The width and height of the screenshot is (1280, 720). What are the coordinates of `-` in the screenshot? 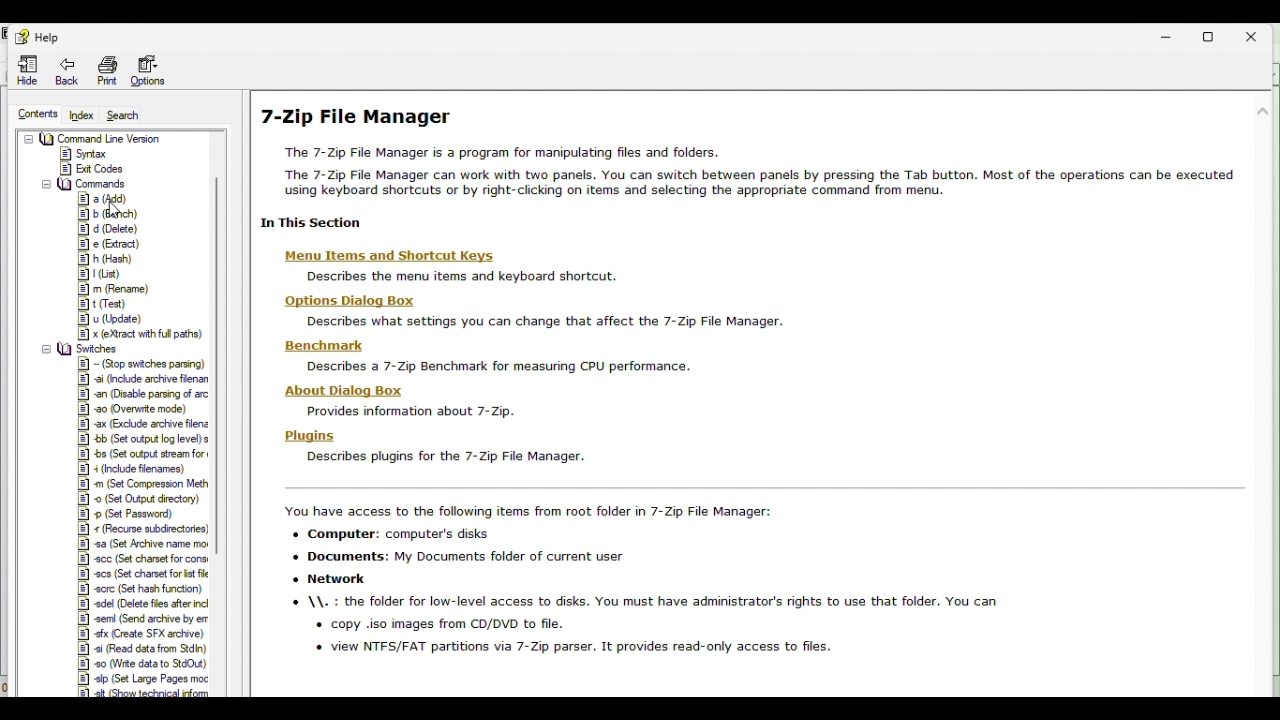 It's located at (143, 364).